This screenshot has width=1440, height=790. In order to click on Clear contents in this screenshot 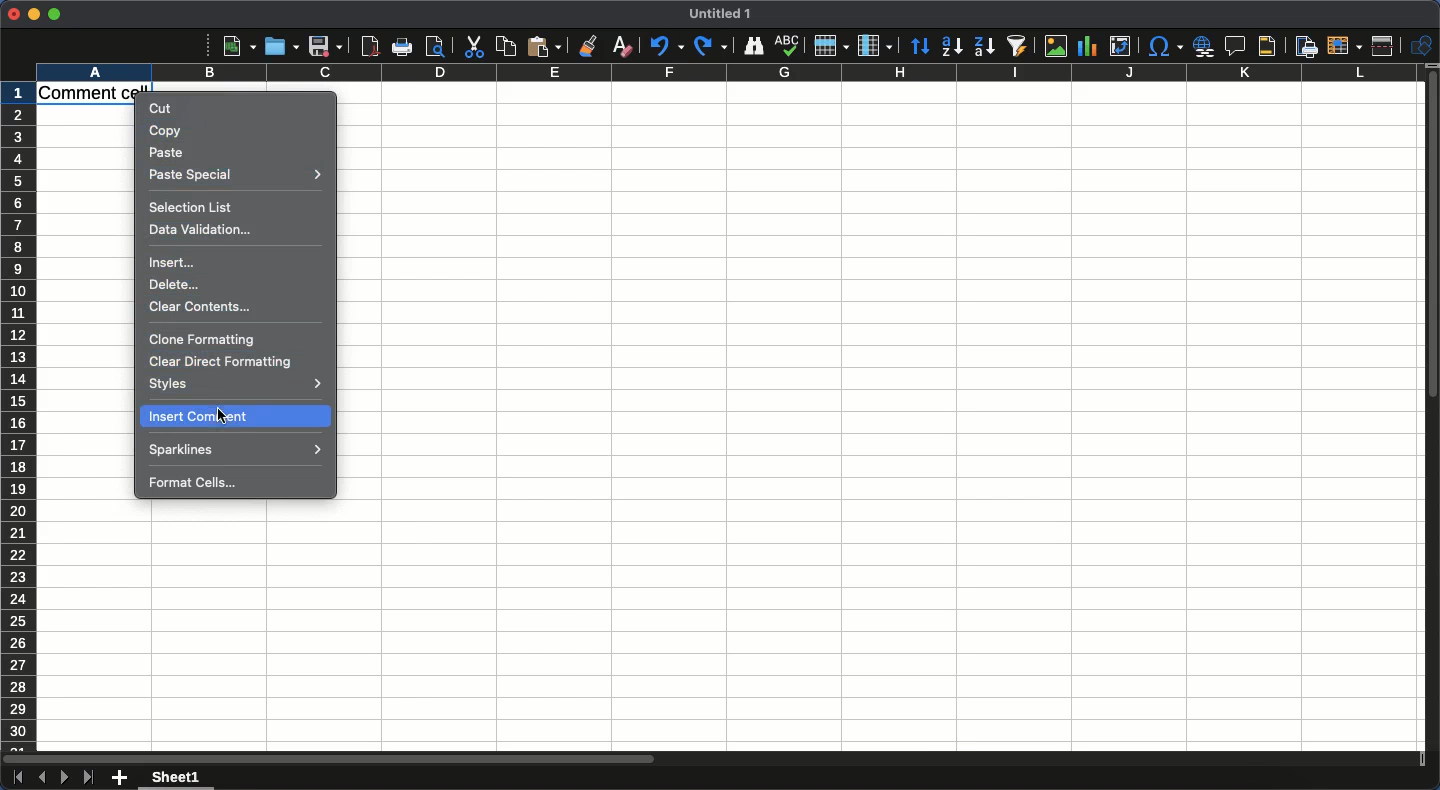, I will do `click(203, 305)`.